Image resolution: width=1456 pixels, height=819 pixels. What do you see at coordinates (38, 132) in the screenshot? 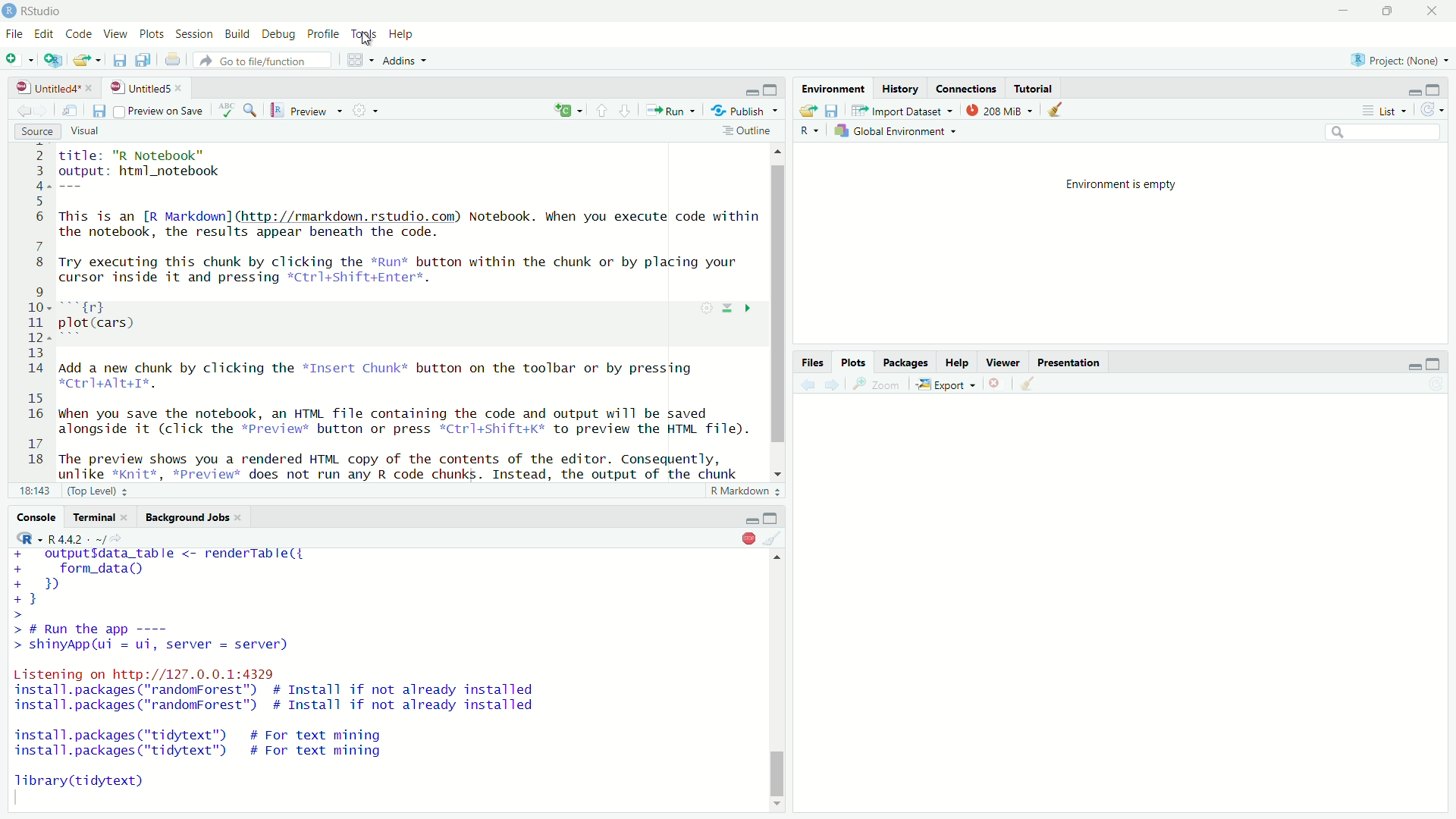
I see `Source` at bounding box center [38, 132].